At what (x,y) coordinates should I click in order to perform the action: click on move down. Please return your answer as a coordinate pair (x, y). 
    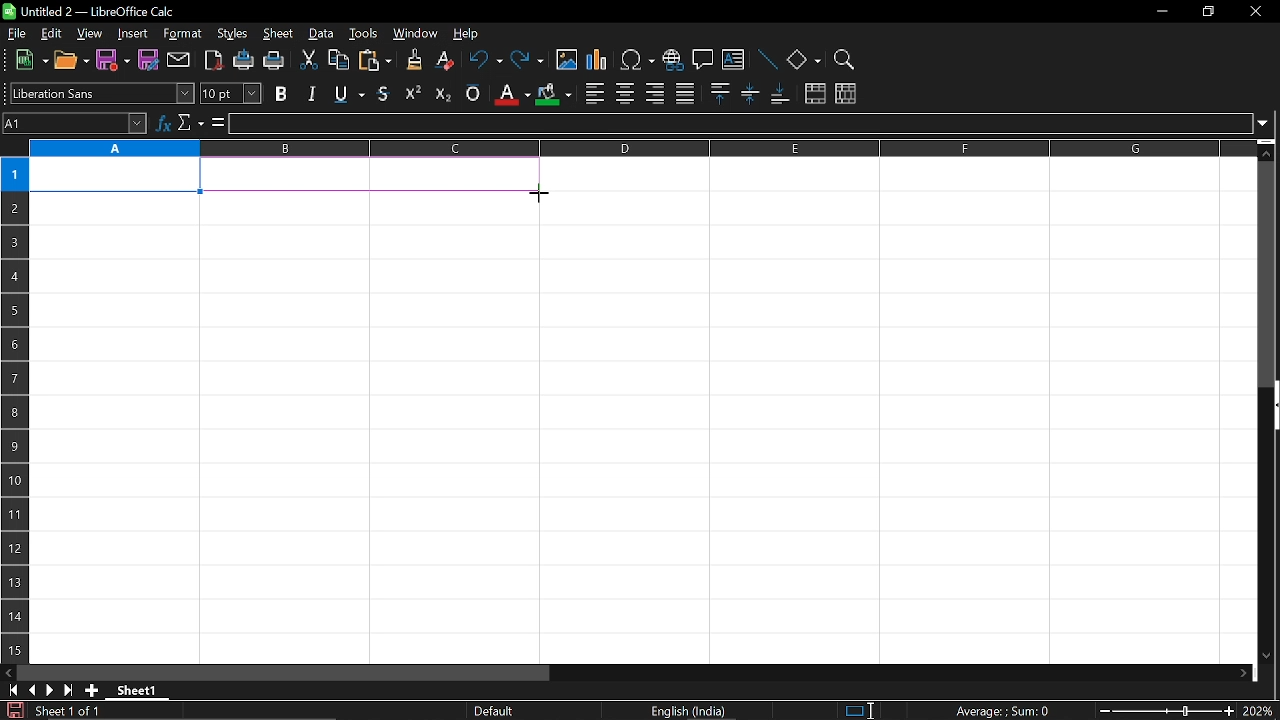
    Looking at the image, I should click on (1270, 657).